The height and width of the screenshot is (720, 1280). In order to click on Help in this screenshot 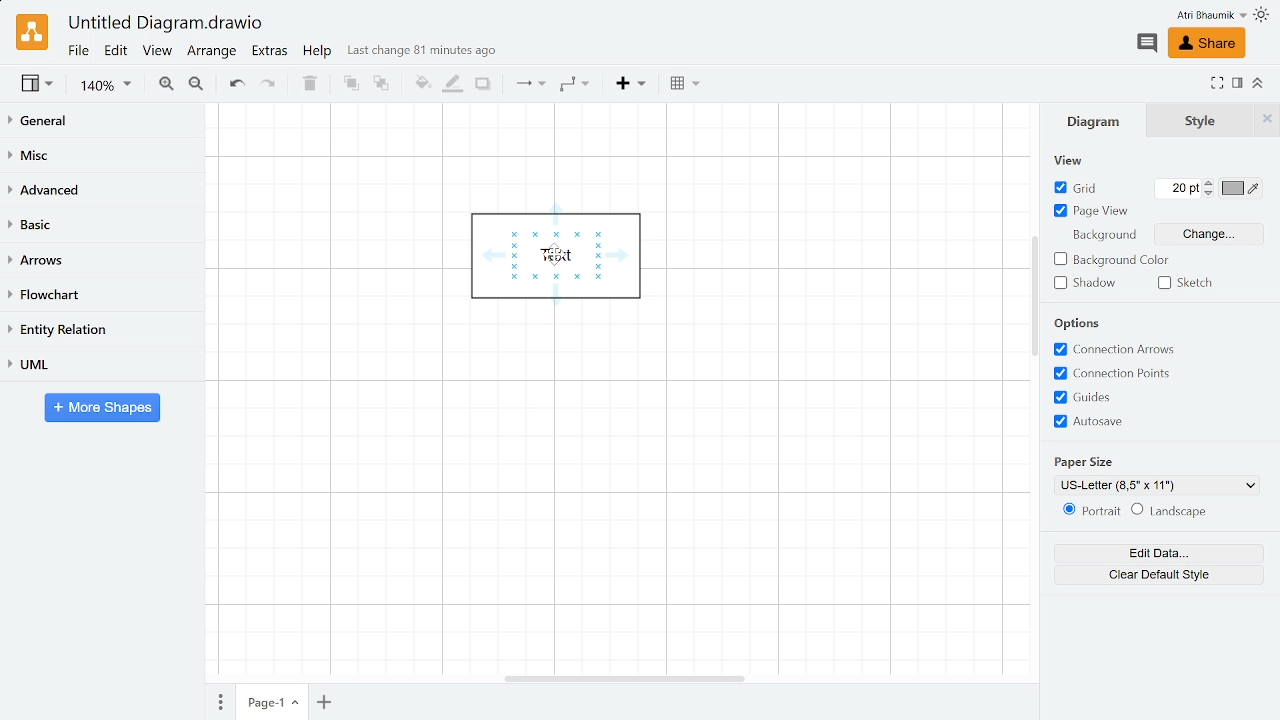, I will do `click(319, 54)`.